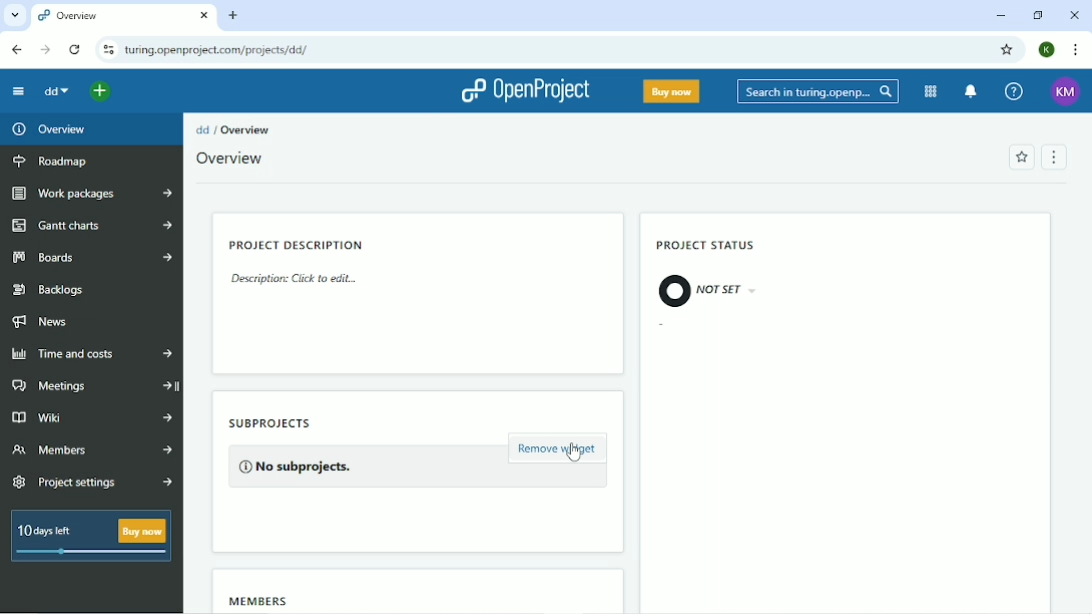 This screenshot has width=1092, height=614. What do you see at coordinates (94, 385) in the screenshot?
I see `Meetings` at bounding box center [94, 385].